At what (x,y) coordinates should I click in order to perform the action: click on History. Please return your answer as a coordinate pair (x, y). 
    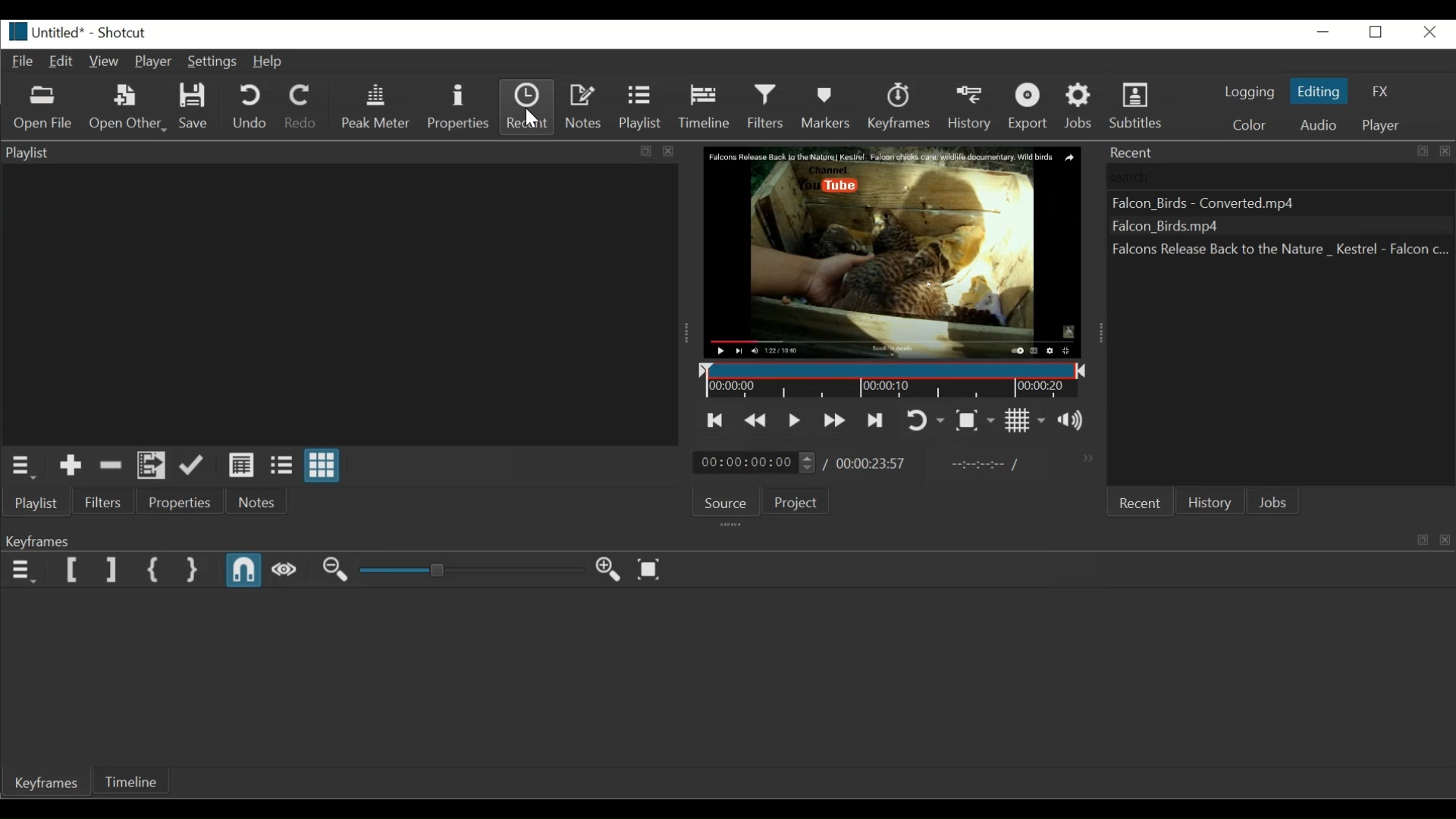
    Looking at the image, I should click on (974, 107).